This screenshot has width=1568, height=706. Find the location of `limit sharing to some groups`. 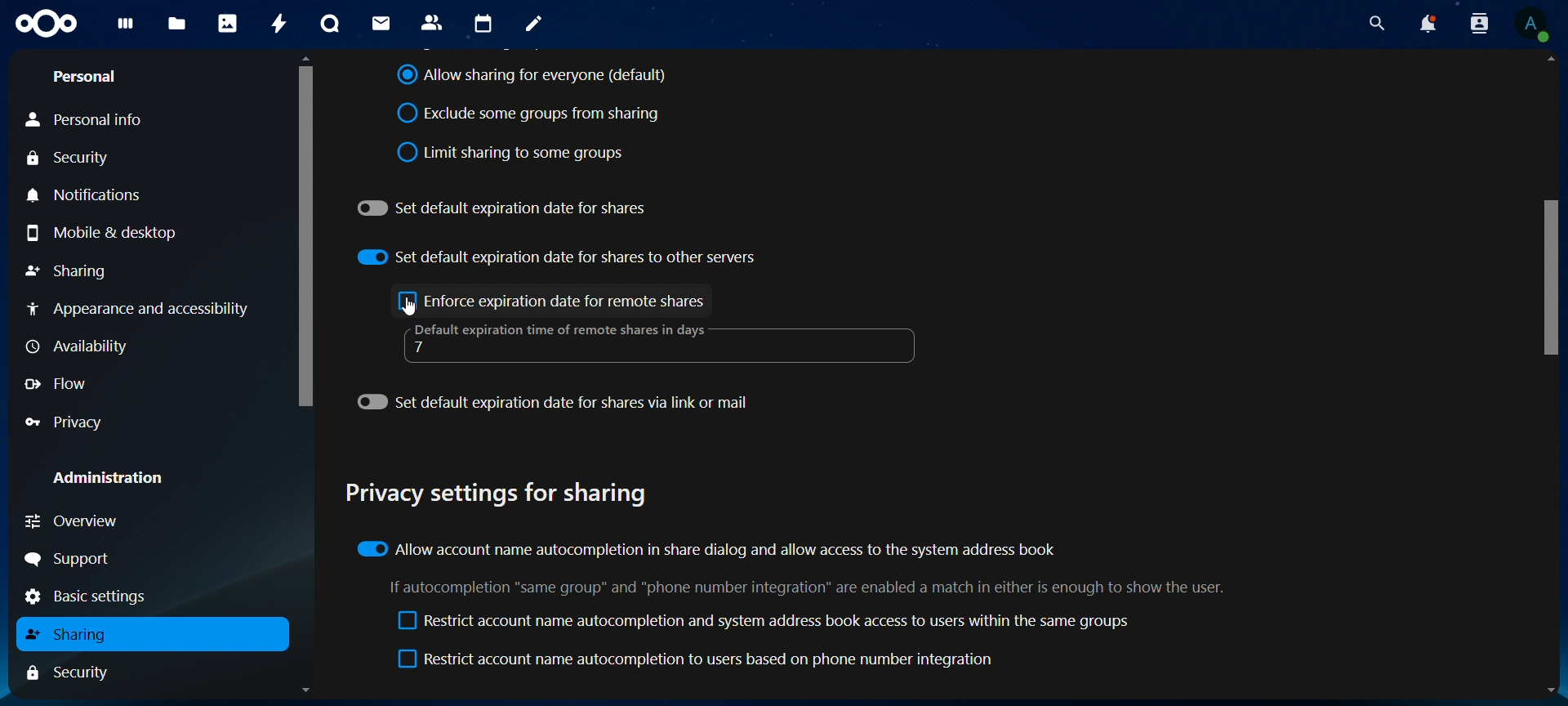

limit sharing to some groups is located at coordinates (510, 152).